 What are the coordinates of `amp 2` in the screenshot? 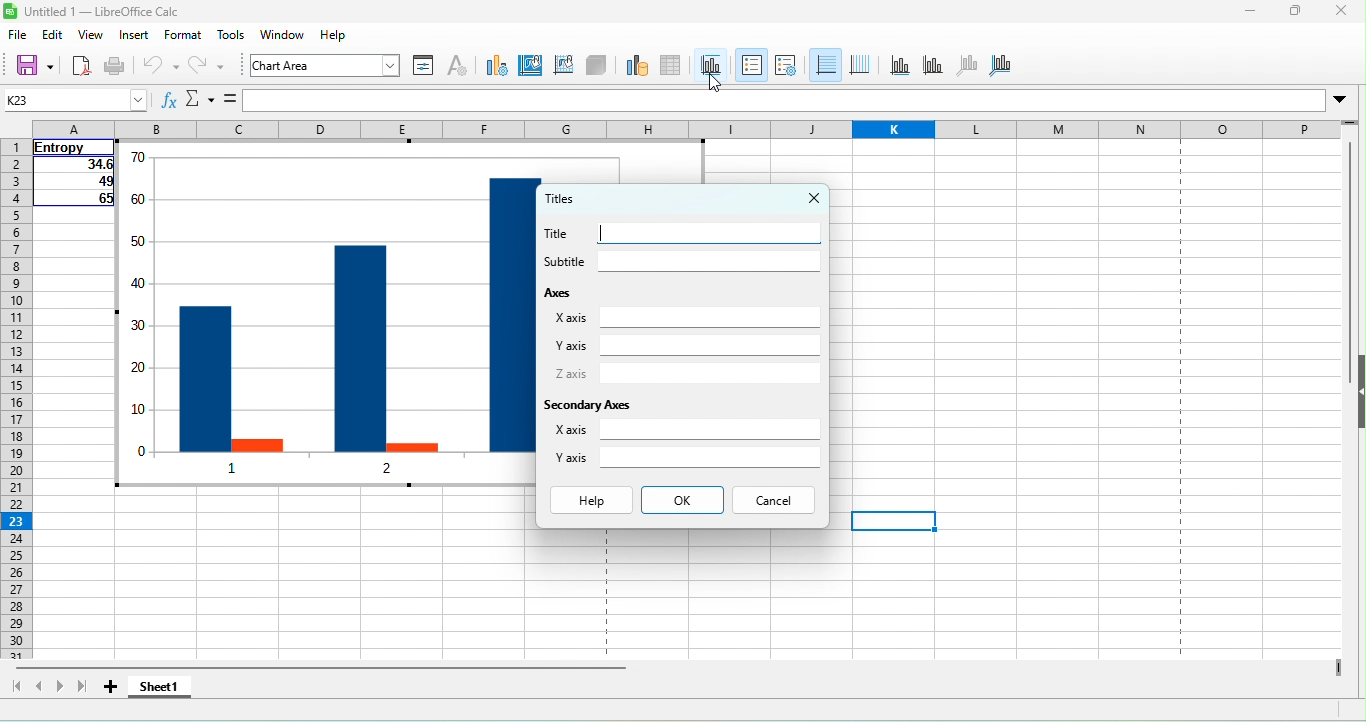 It's located at (411, 443).